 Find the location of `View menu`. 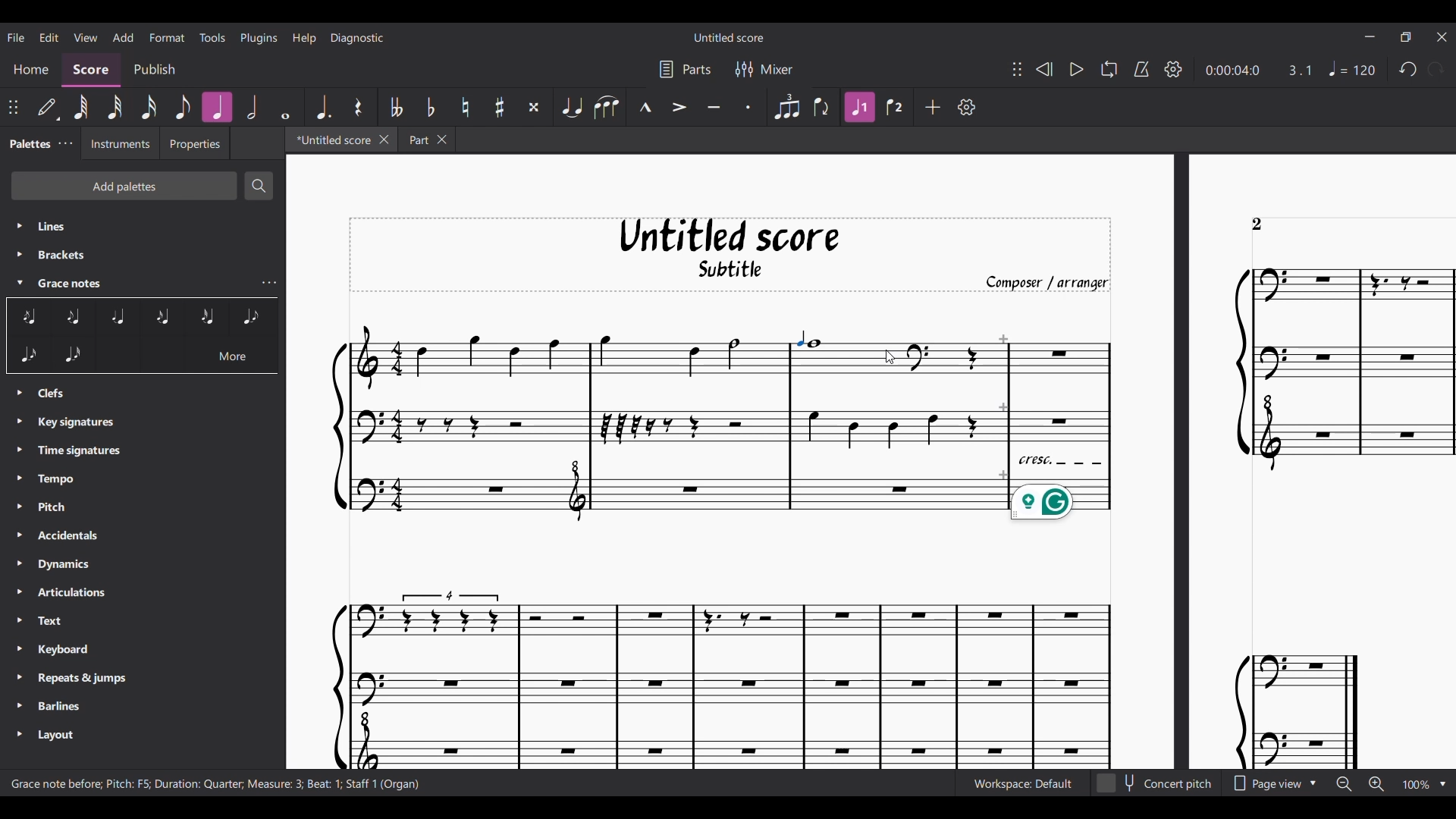

View menu is located at coordinates (84, 37).